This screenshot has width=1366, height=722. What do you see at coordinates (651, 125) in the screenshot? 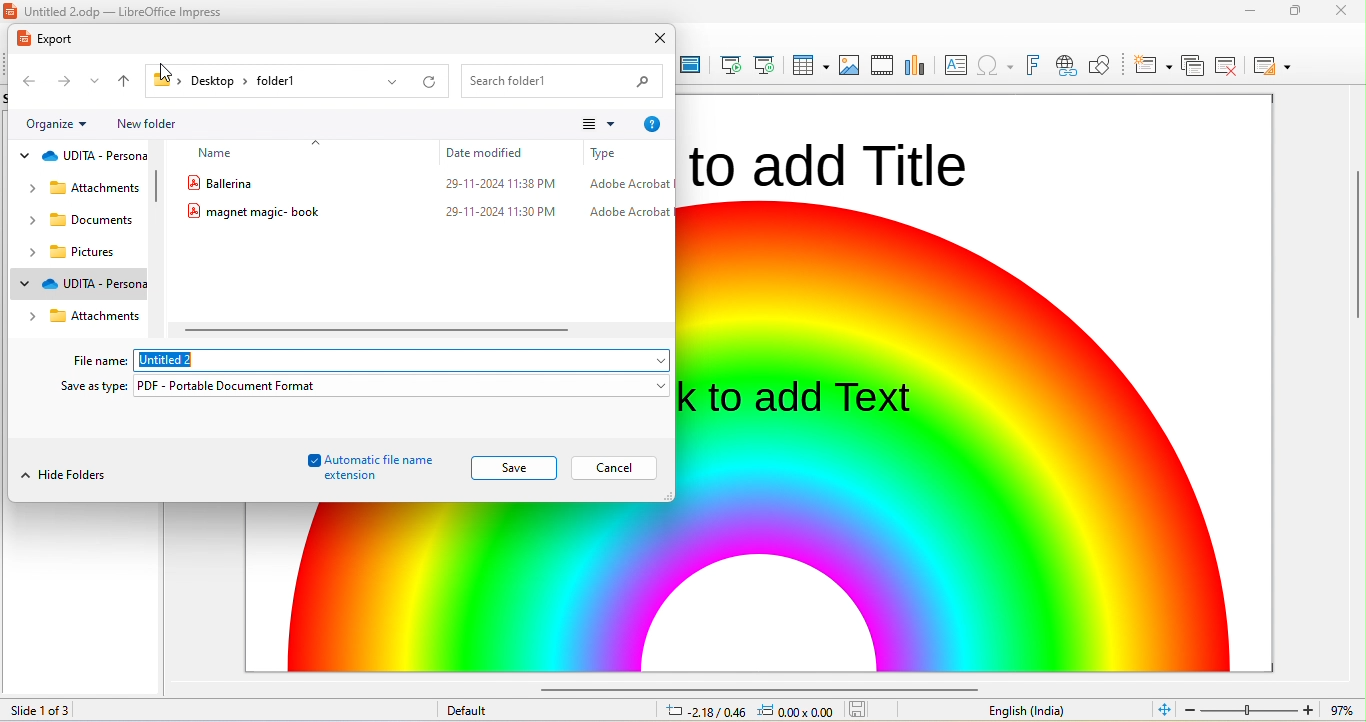
I see `get help` at bounding box center [651, 125].